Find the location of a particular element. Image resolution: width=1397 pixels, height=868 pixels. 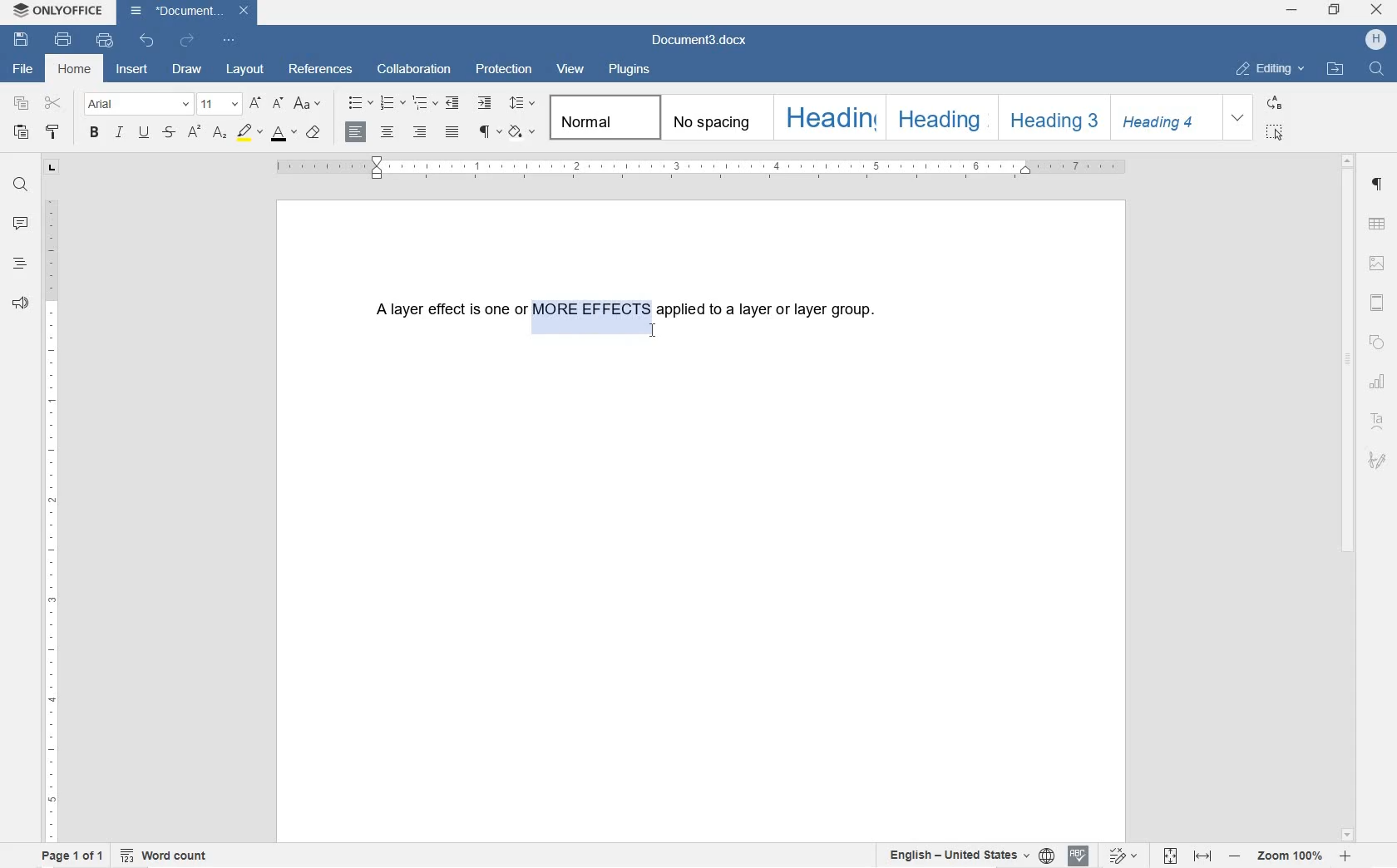

CUSTOMIZE QUICK ACCESS TOOLBAR is located at coordinates (230, 42).